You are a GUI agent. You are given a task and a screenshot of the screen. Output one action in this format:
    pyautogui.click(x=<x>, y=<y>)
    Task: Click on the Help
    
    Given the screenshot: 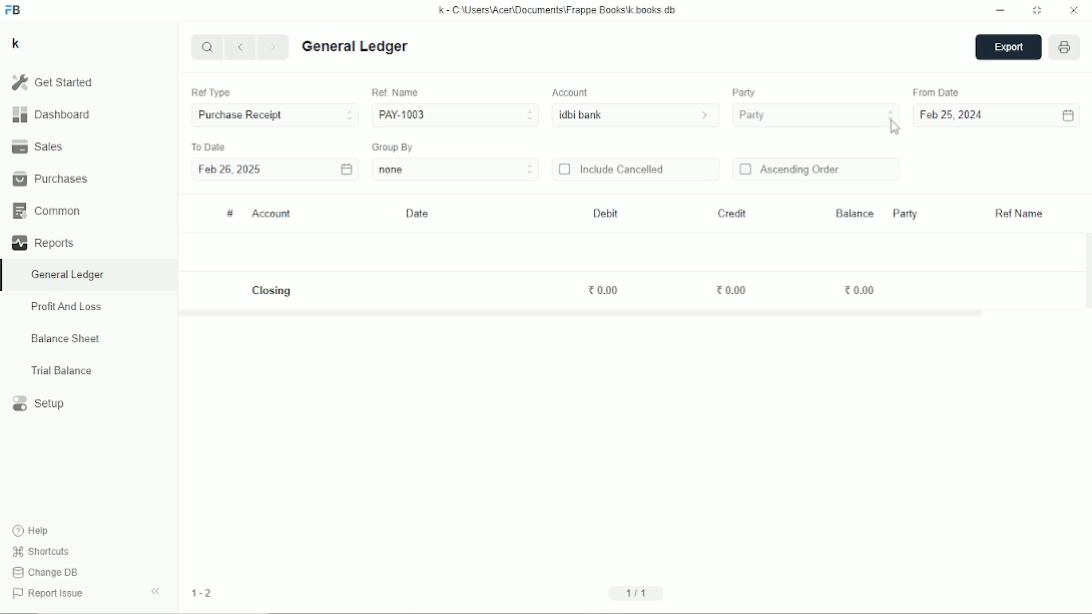 What is the action you would take?
    pyautogui.click(x=33, y=531)
    